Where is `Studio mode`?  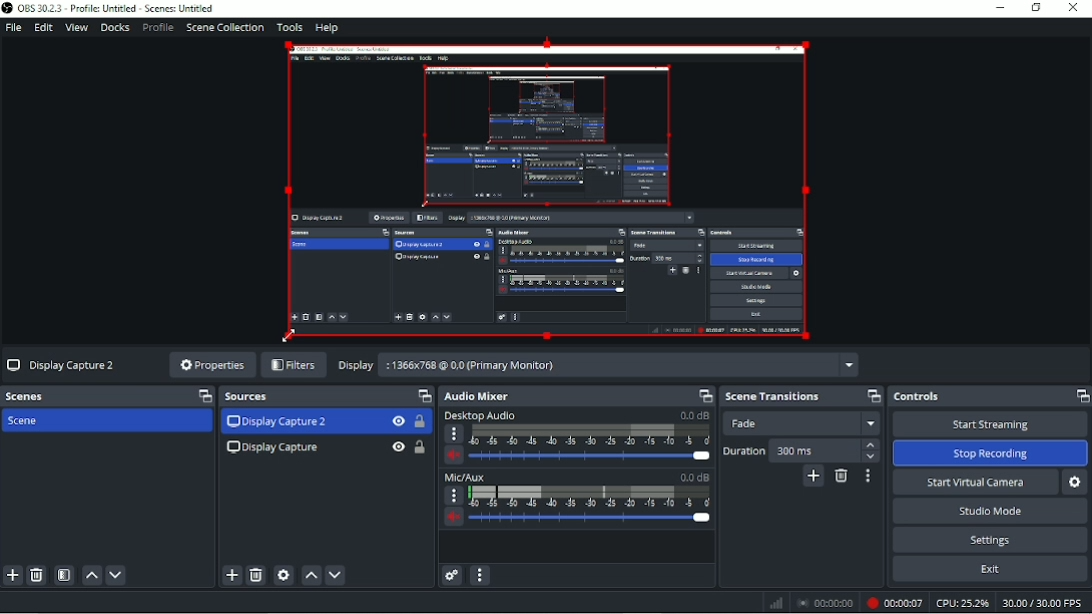 Studio mode is located at coordinates (988, 511).